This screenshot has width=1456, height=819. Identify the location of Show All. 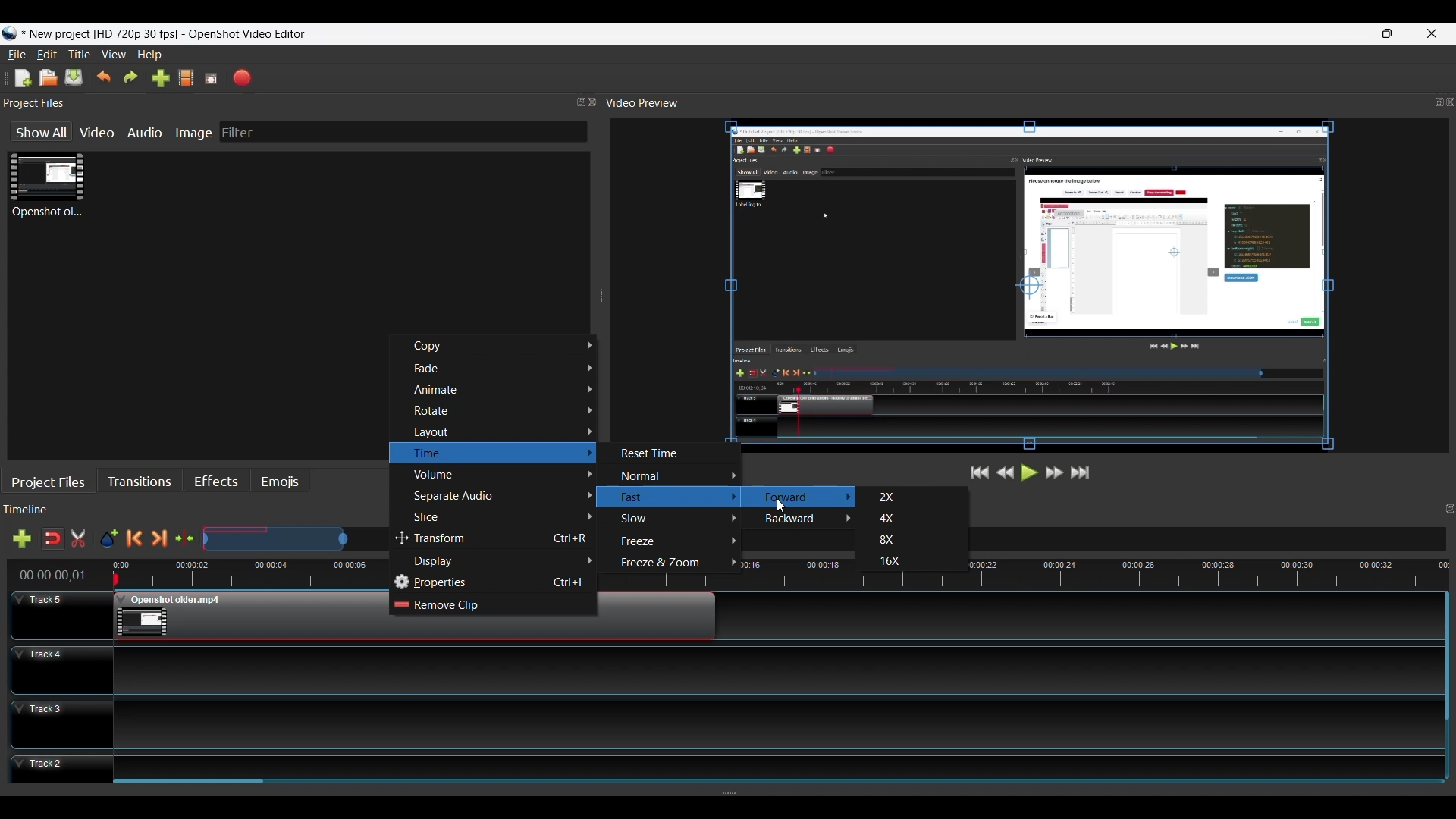
(39, 132).